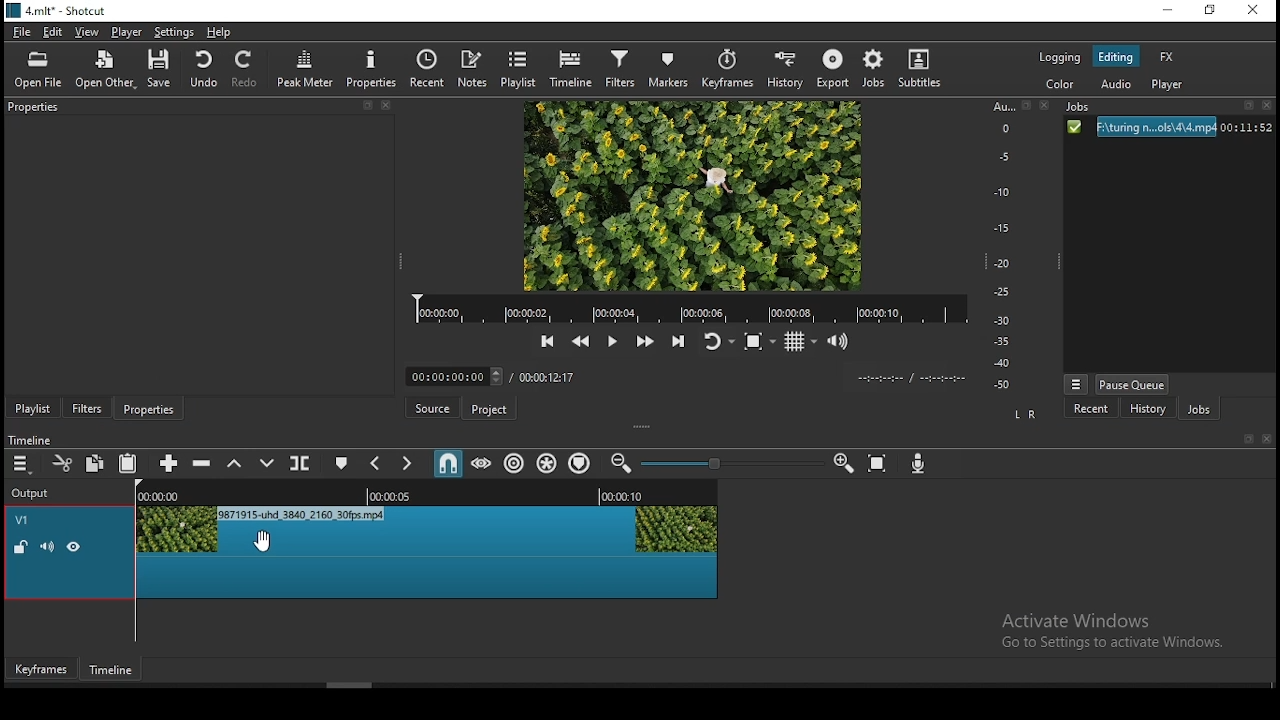 The height and width of the screenshot is (720, 1280). Describe the element at coordinates (235, 465) in the screenshot. I see `lift` at that location.